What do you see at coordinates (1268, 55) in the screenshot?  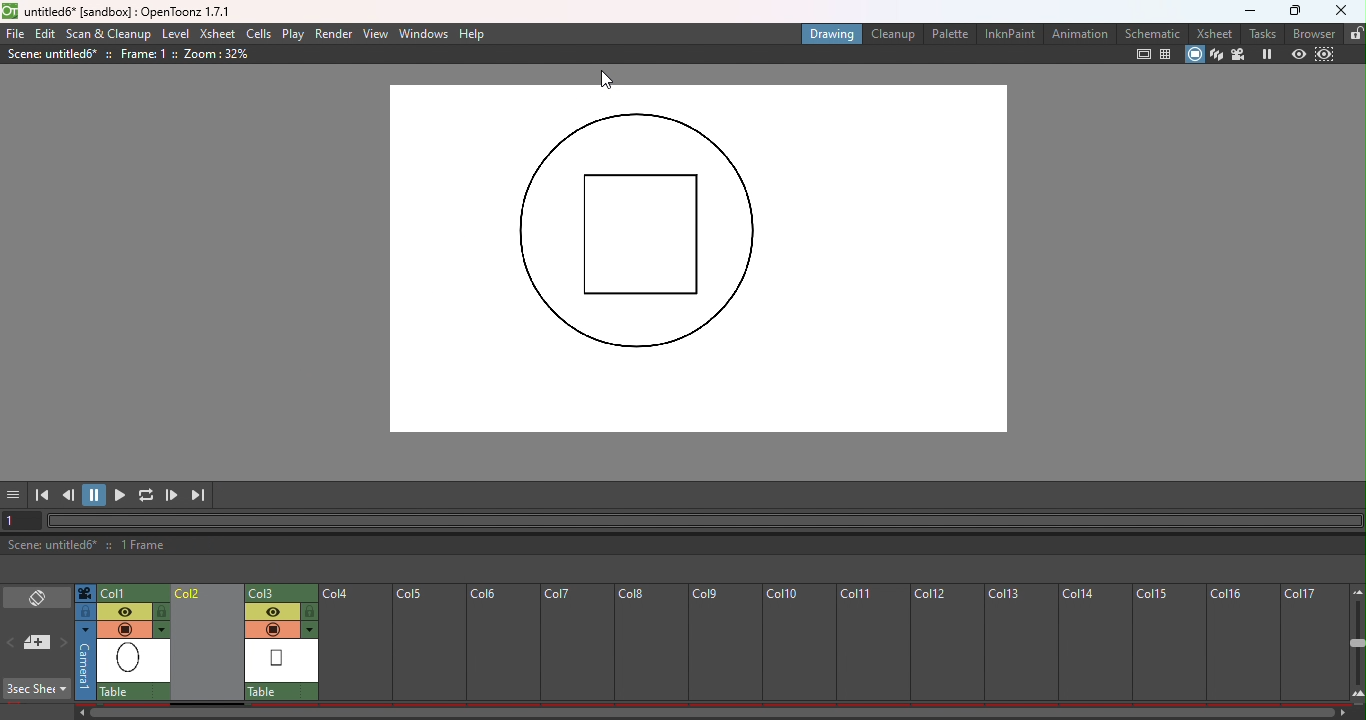 I see `Freeze` at bounding box center [1268, 55].